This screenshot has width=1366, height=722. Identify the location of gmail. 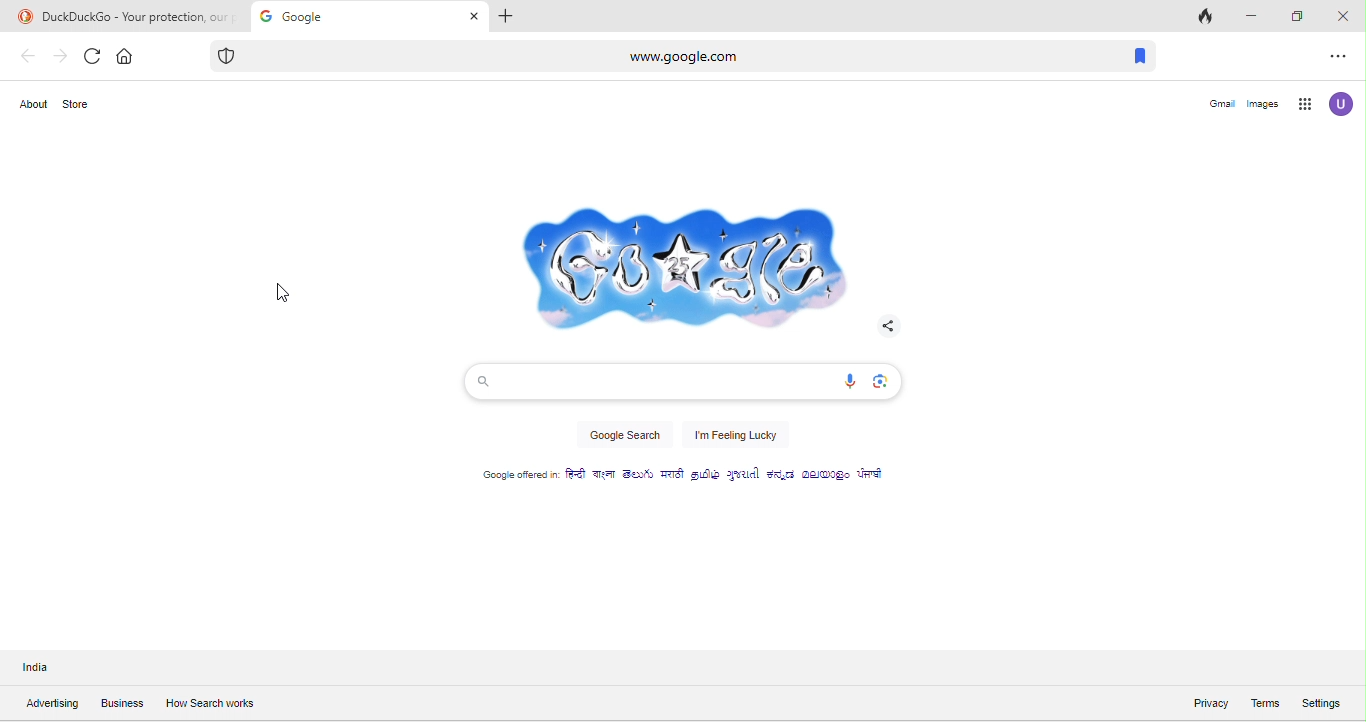
(1216, 104).